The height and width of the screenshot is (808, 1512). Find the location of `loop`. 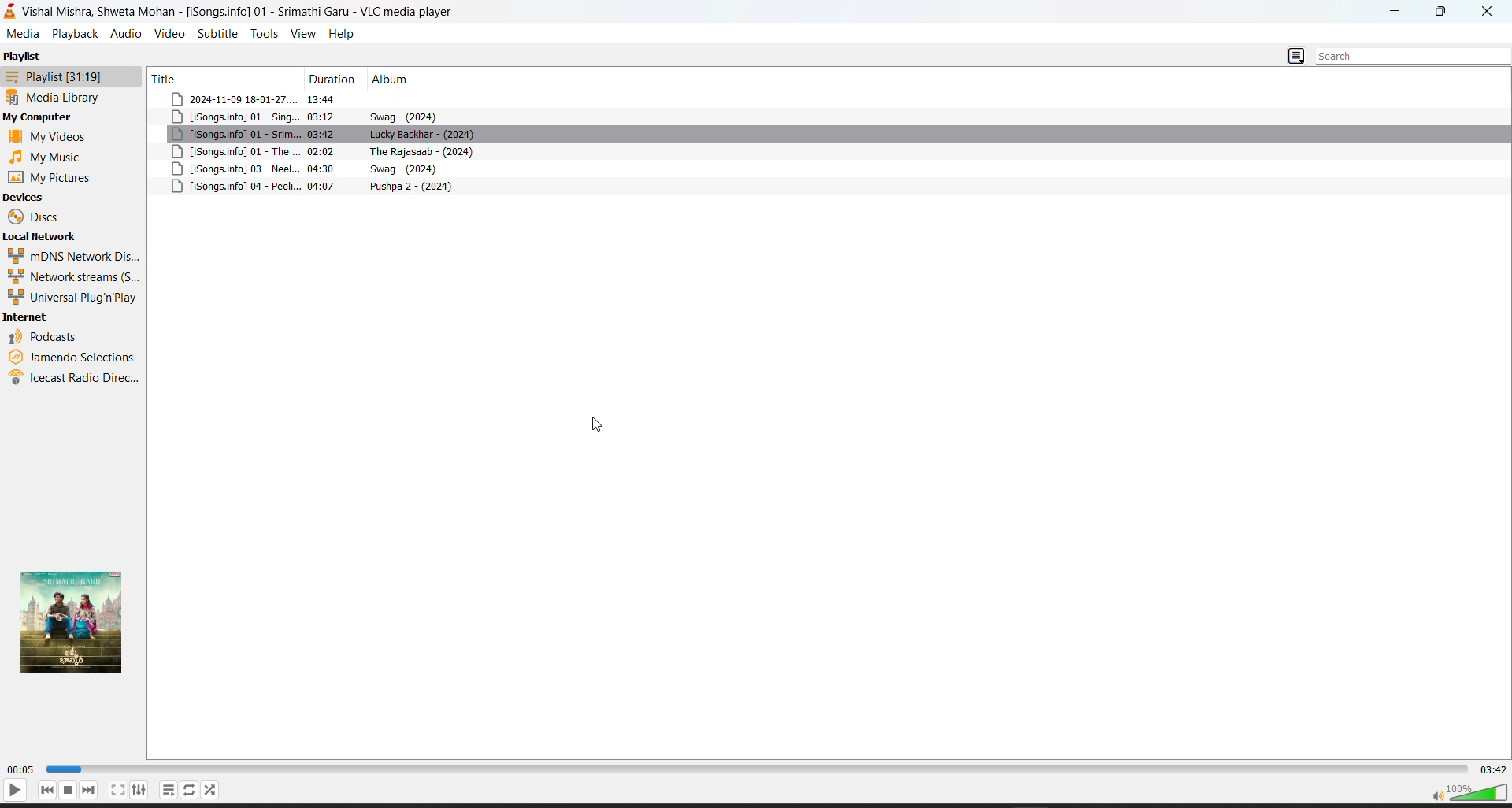

loop is located at coordinates (168, 790).